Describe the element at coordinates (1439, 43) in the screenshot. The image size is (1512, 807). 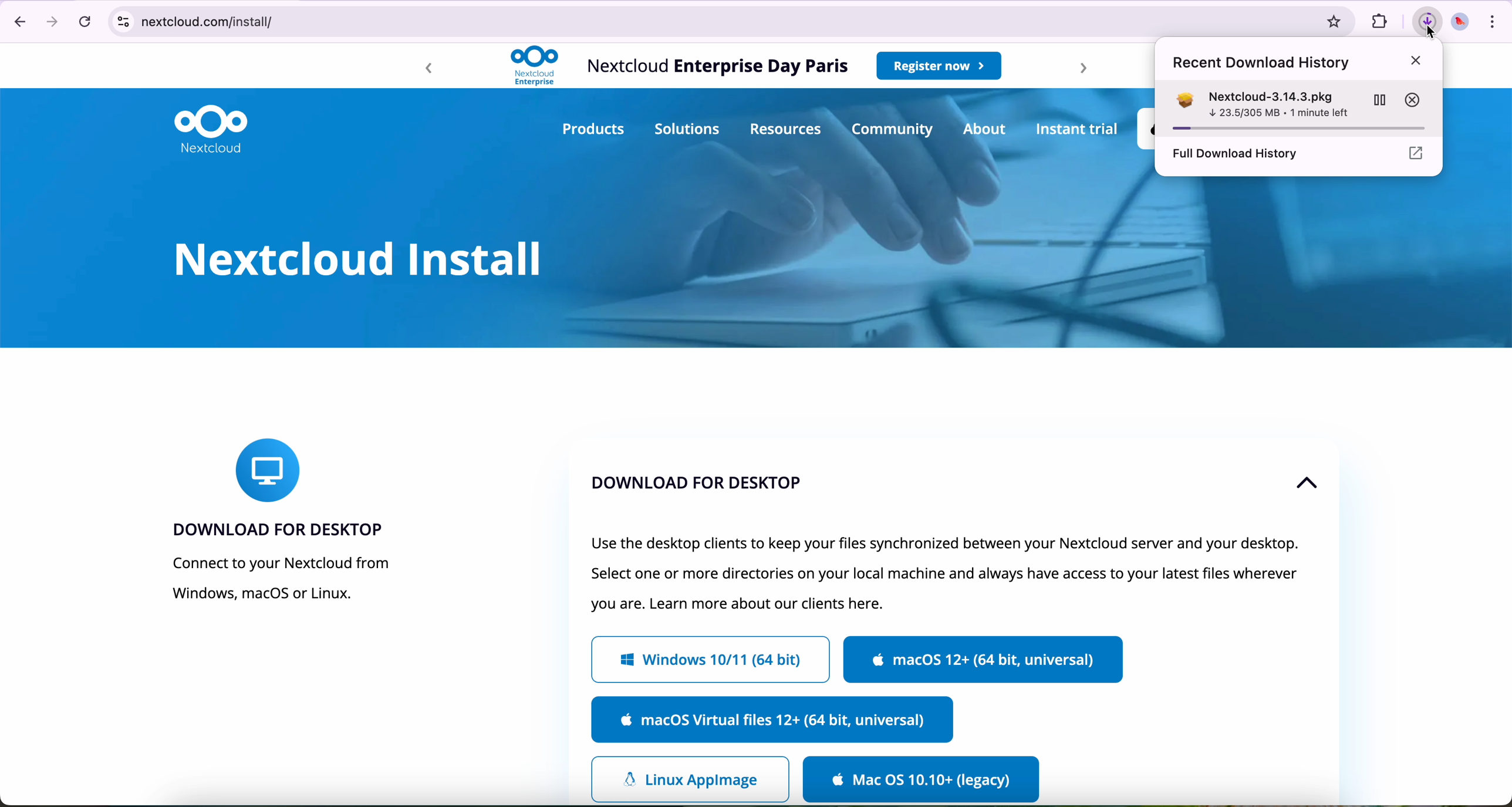
I see `cursor` at that location.